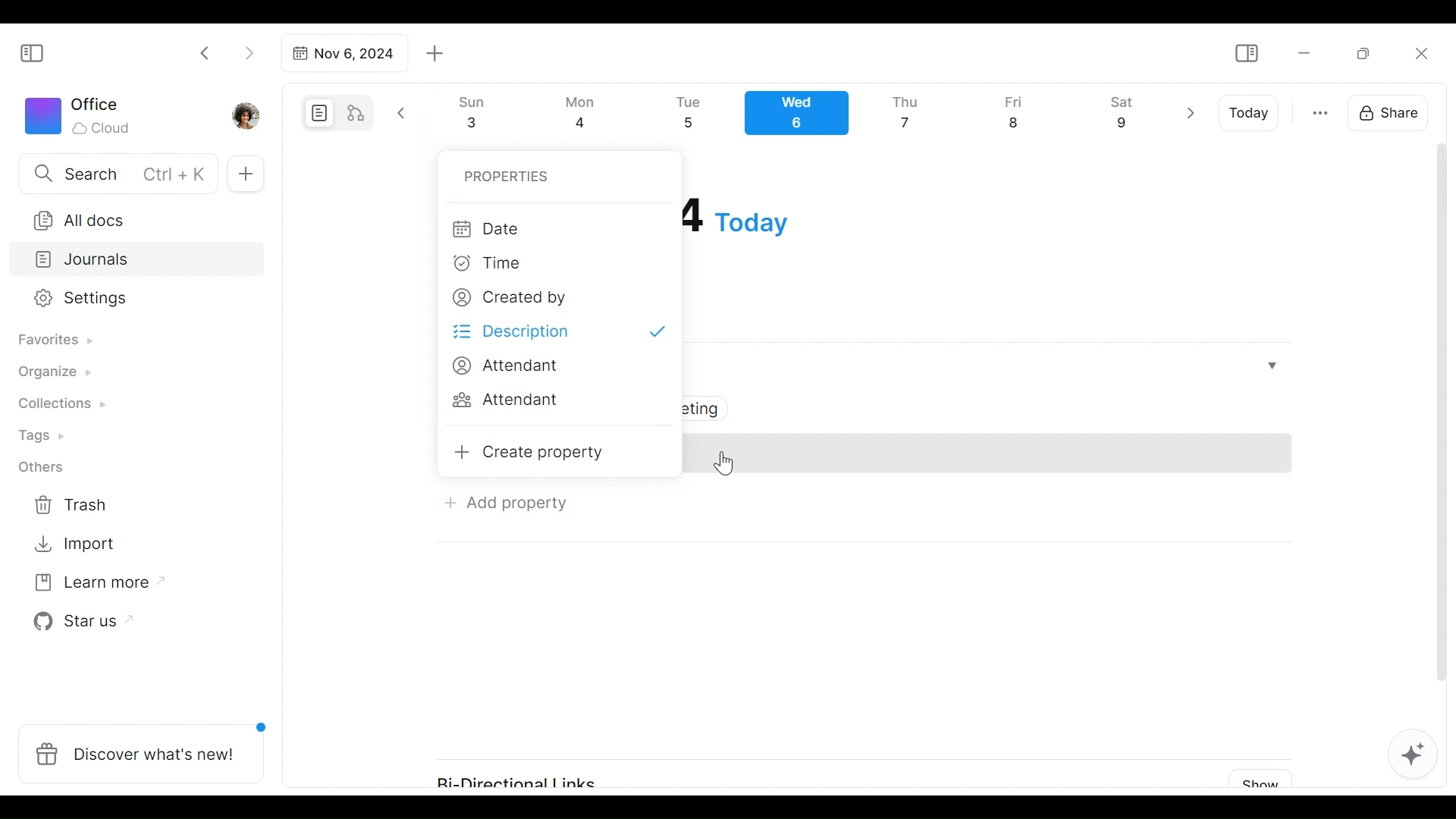 The width and height of the screenshot is (1456, 819). I want to click on Organize, so click(53, 373).